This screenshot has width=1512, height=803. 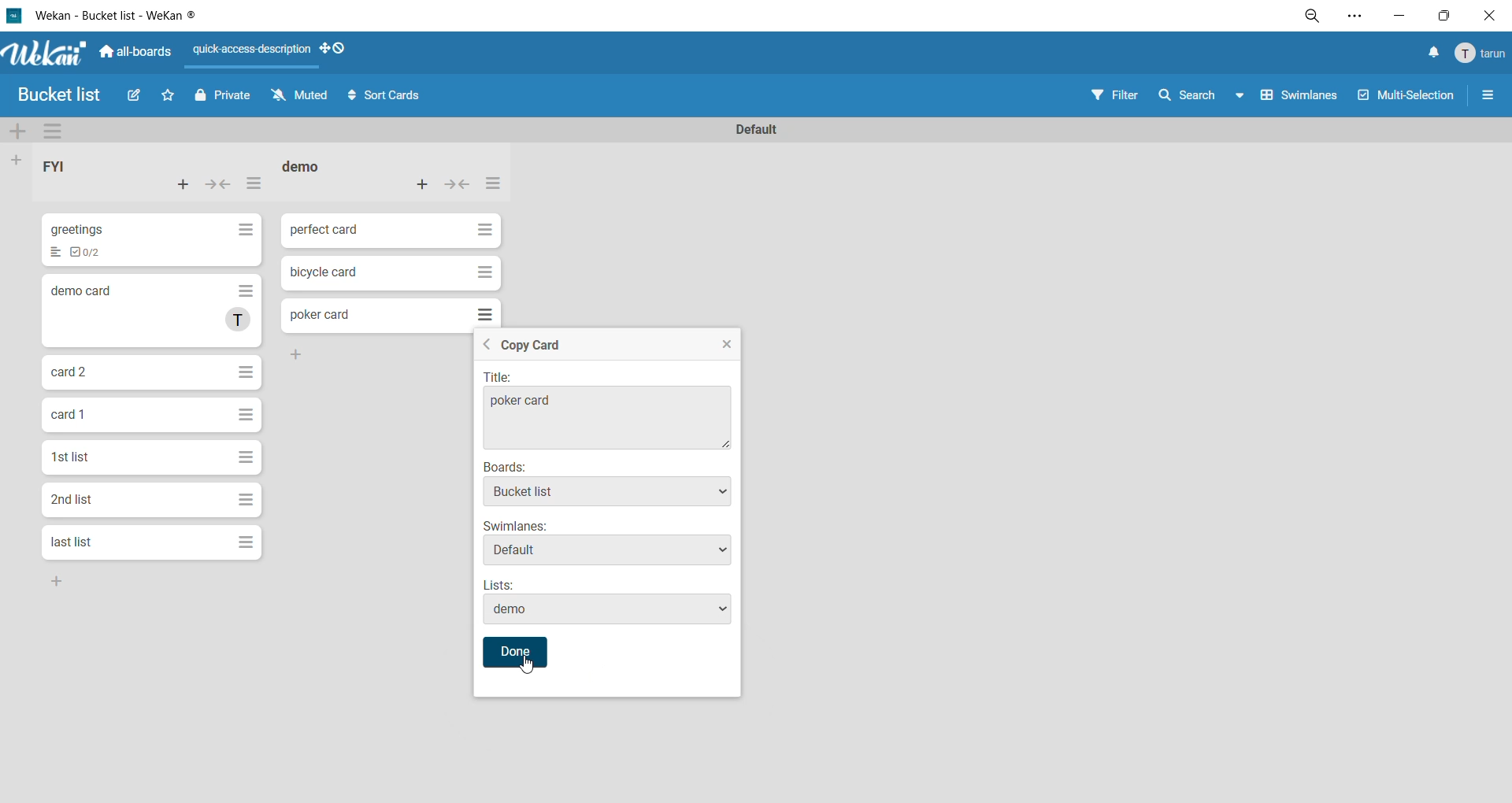 I want to click on Wekan, so click(x=42, y=51).